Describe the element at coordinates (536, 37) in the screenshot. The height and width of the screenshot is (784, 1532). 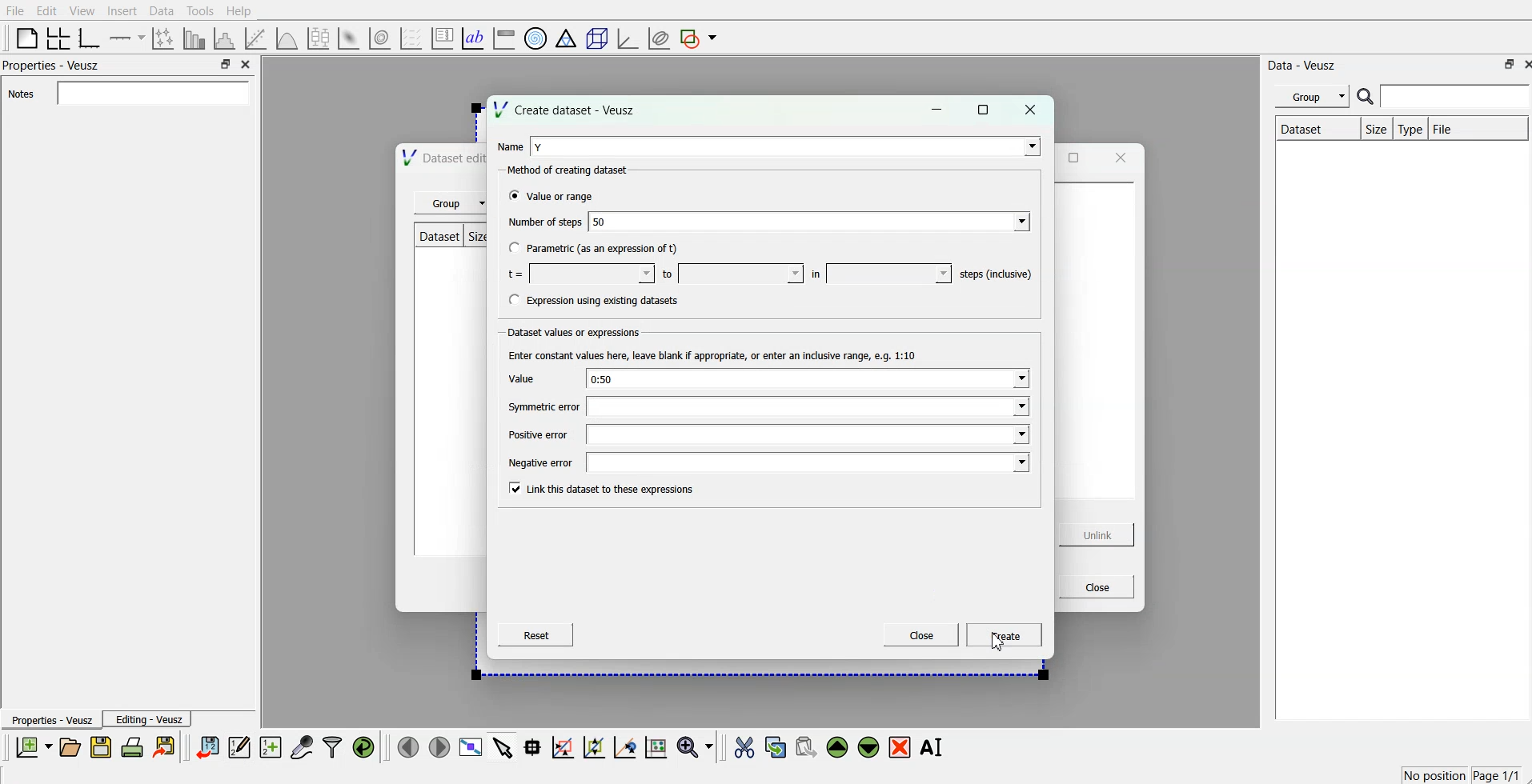
I see `polar graph` at that location.